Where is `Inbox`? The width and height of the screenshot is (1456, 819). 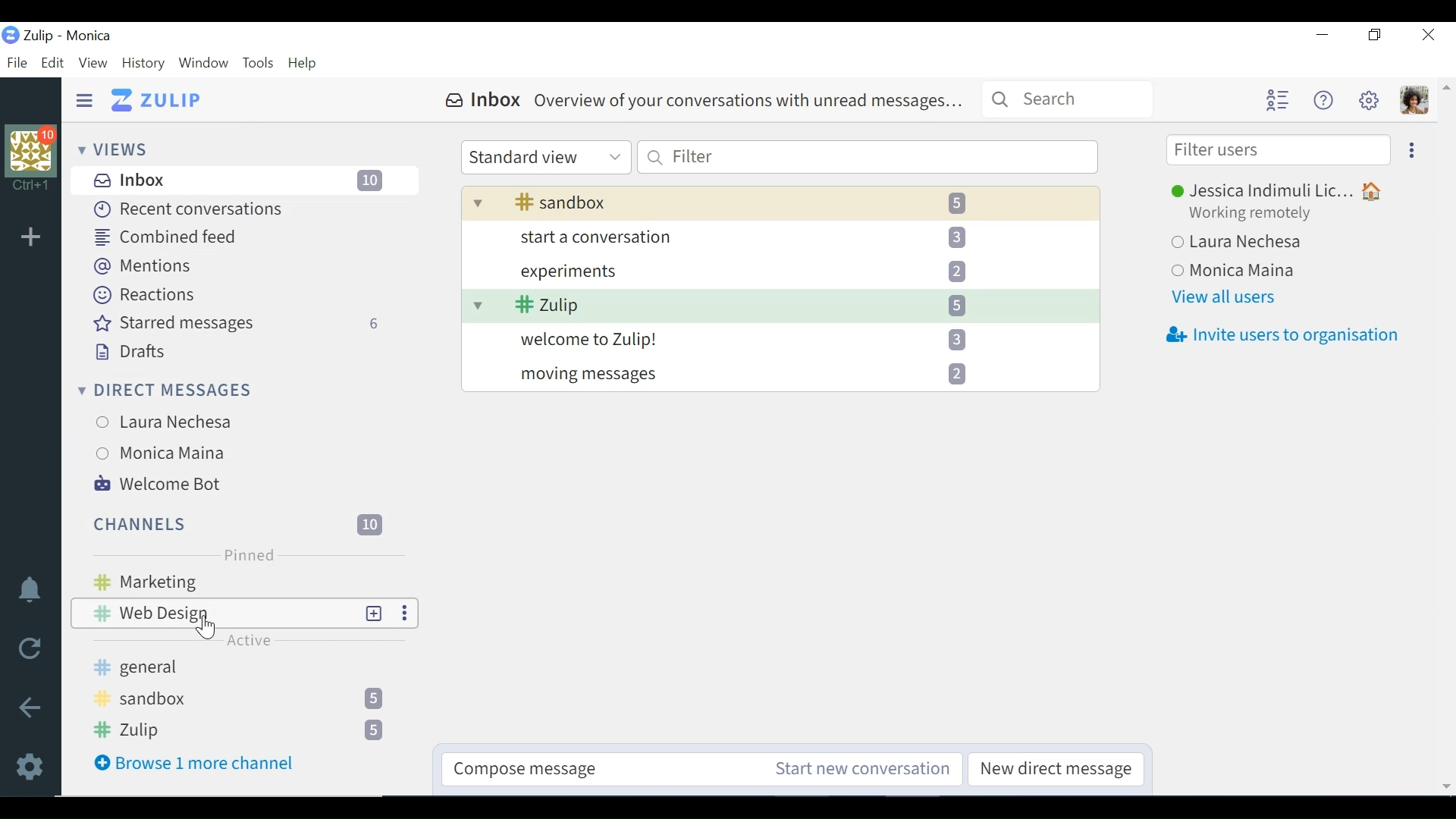 Inbox is located at coordinates (246, 180).